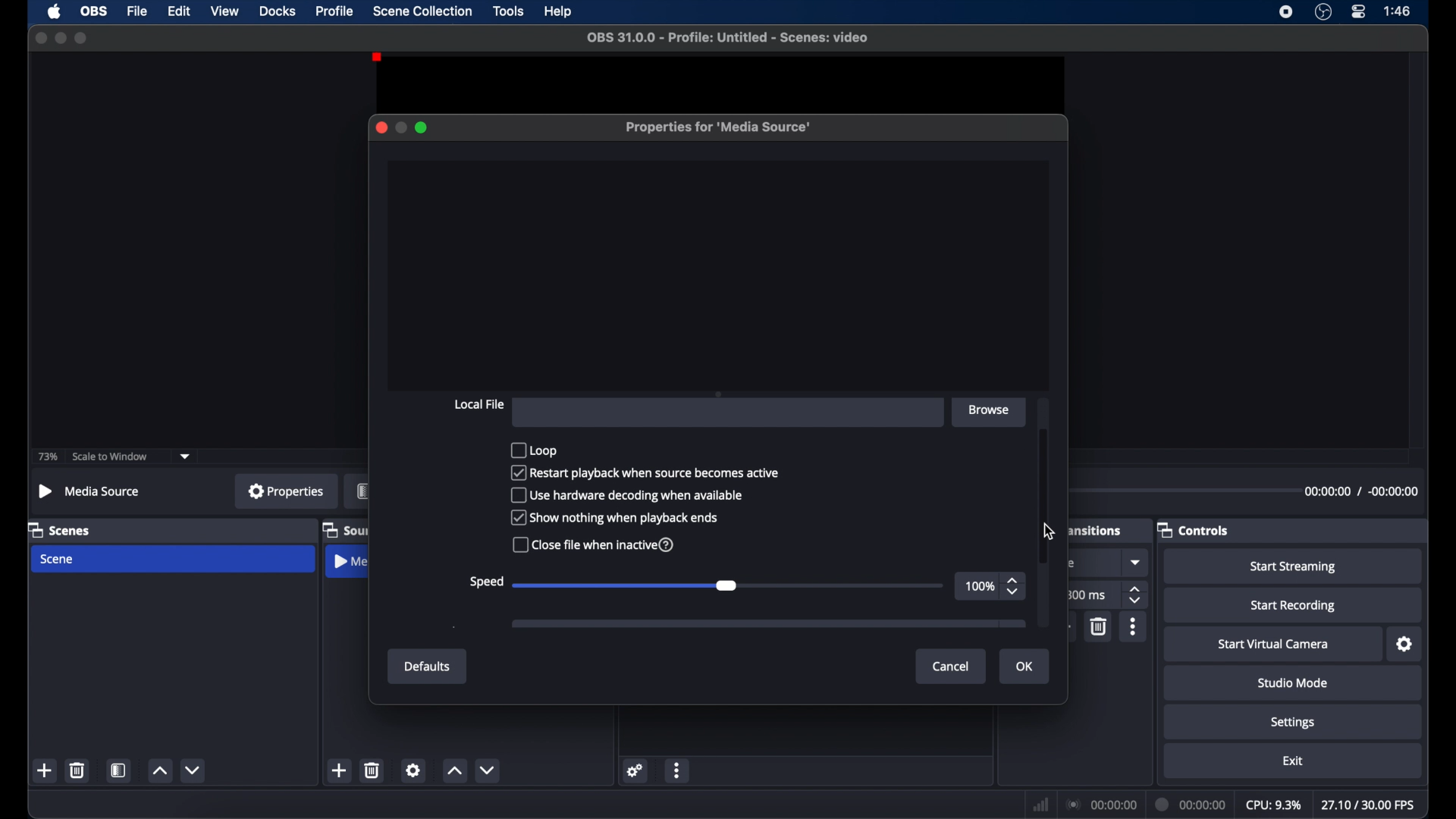 This screenshot has height=819, width=1456. Describe the element at coordinates (629, 496) in the screenshot. I see `use hardware decoding when available` at that location.